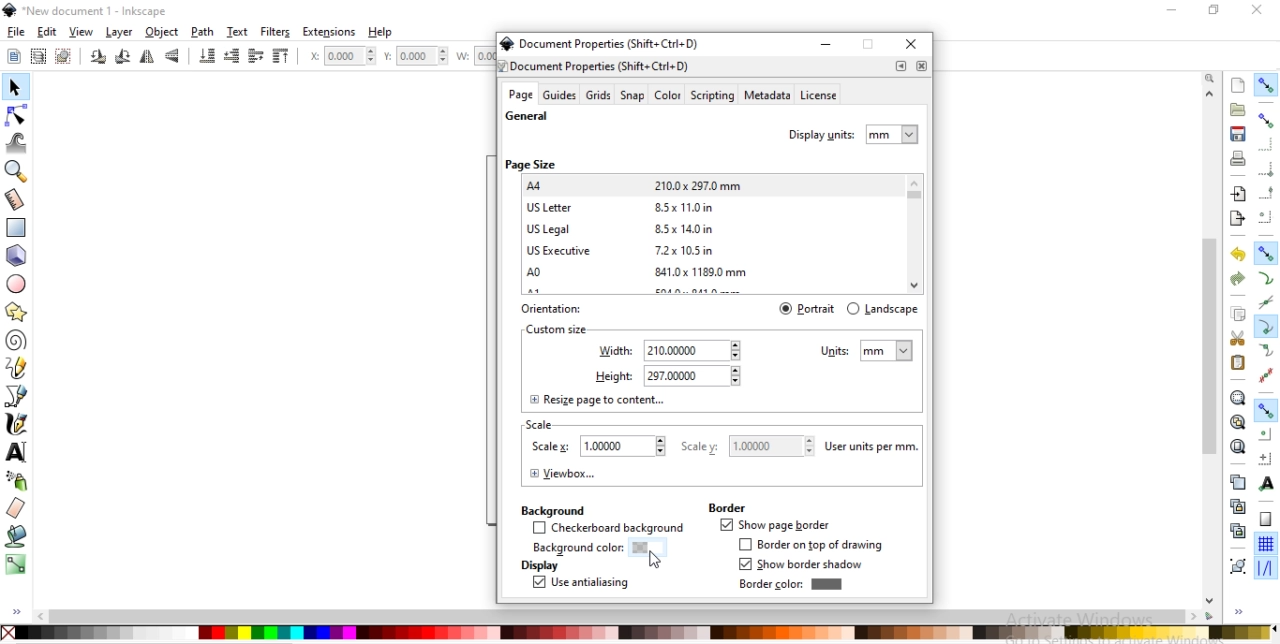  What do you see at coordinates (16, 368) in the screenshot?
I see `draw freehand lines` at bounding box center [16, 368].